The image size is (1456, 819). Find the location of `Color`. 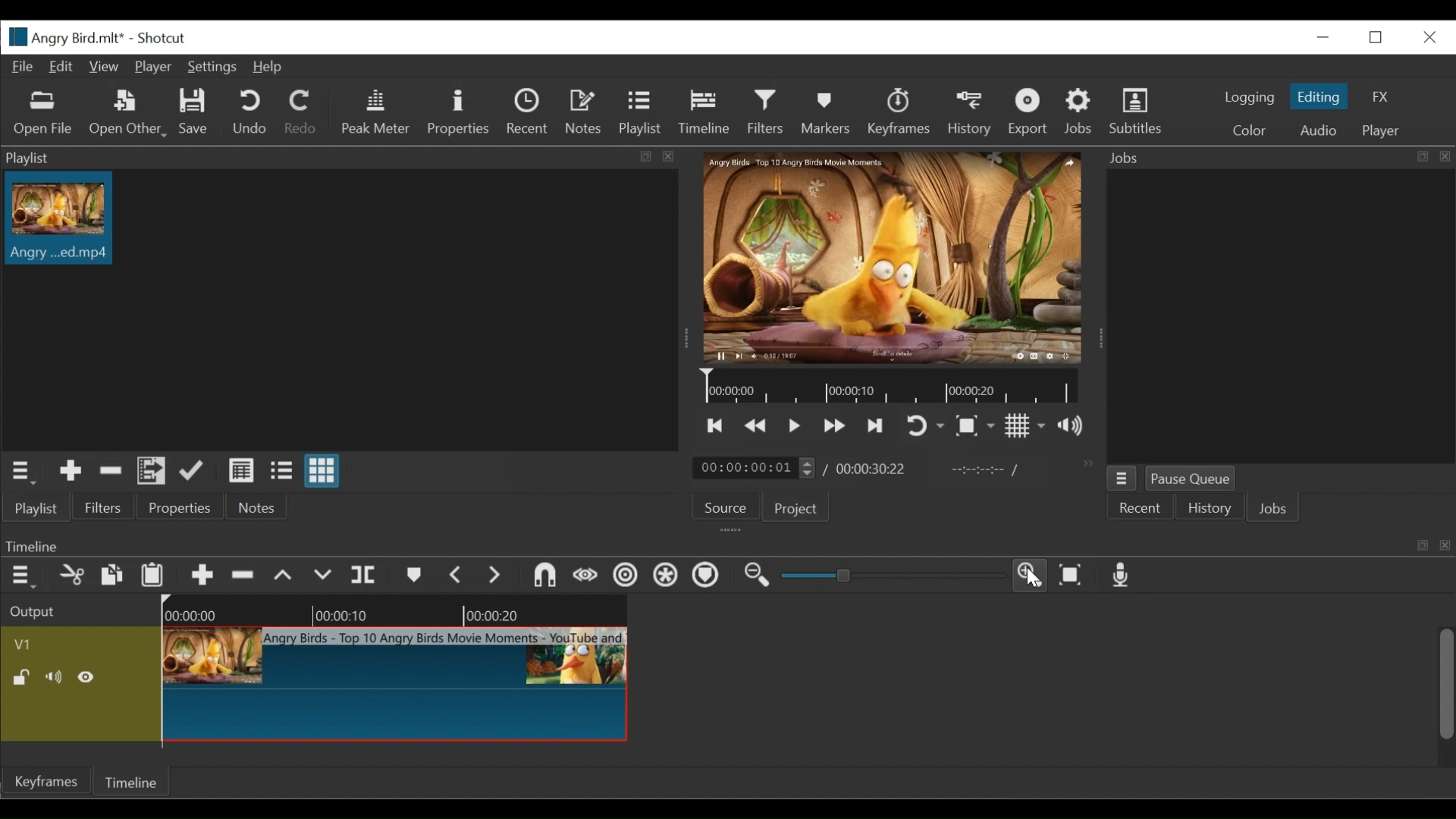

Color is located at coordinates (1250, 129).